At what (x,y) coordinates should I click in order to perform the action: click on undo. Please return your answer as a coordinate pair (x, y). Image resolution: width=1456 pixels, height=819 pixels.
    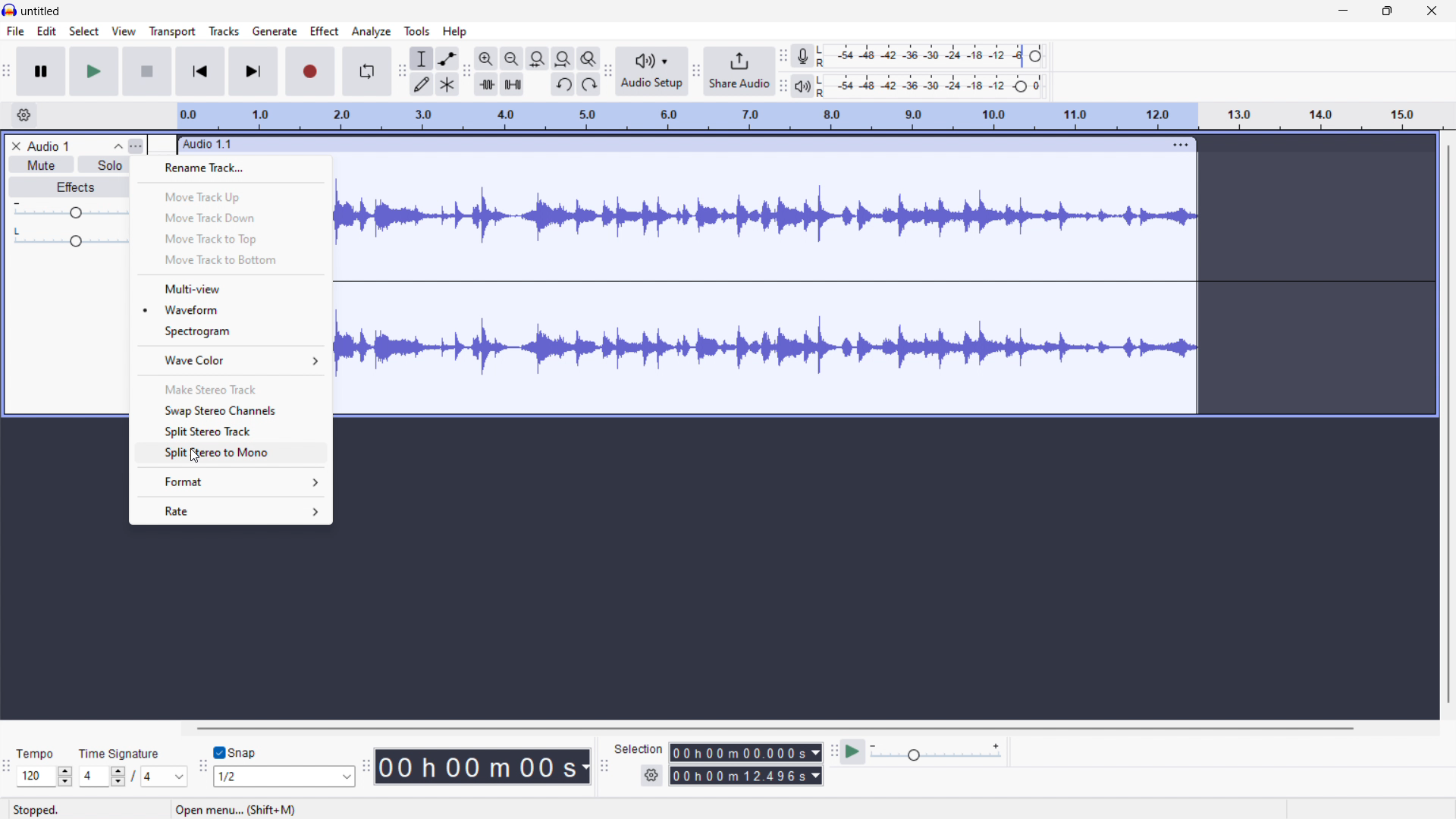
    Looking at the image, I should click on (563, 85).